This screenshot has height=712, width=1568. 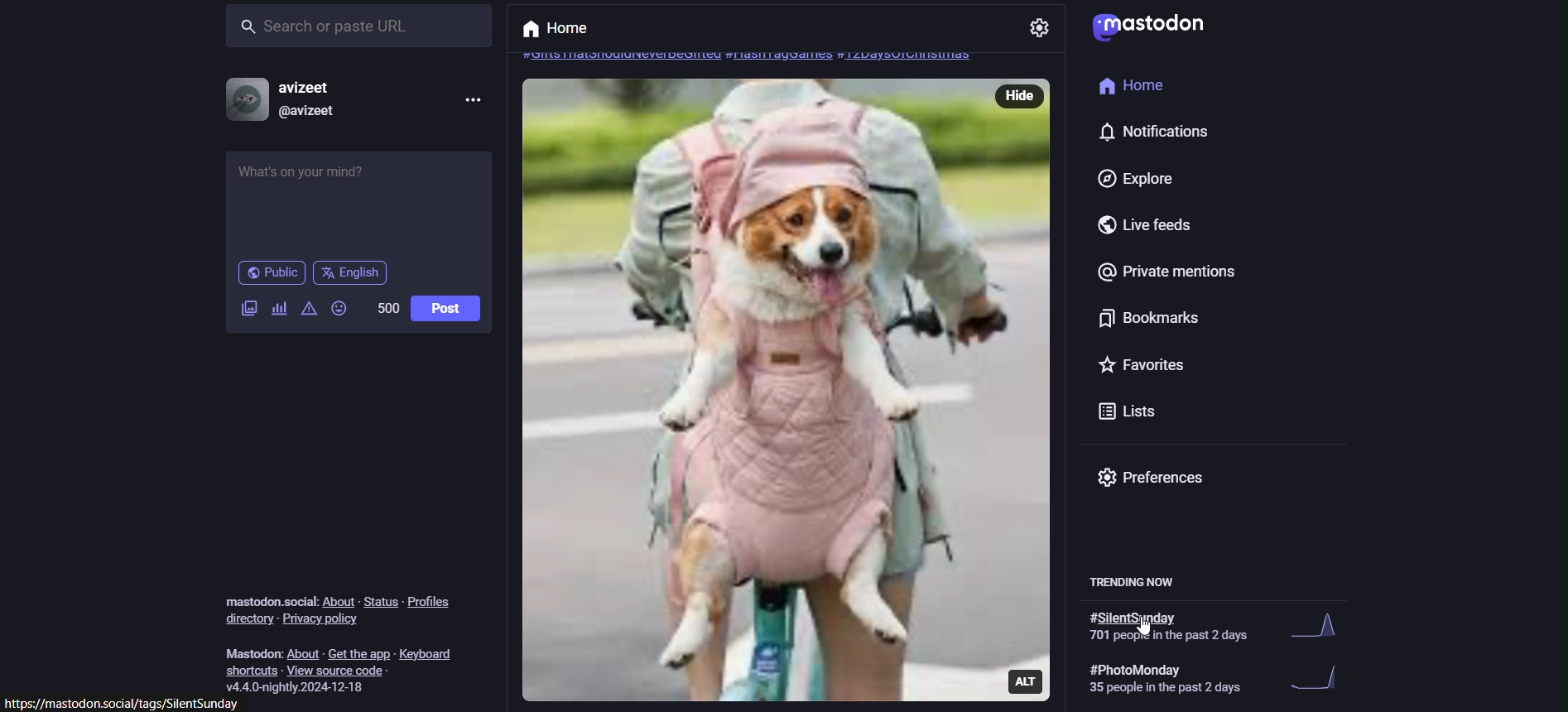 I want to click on Whats on your mind, so click(x=359, y=204).